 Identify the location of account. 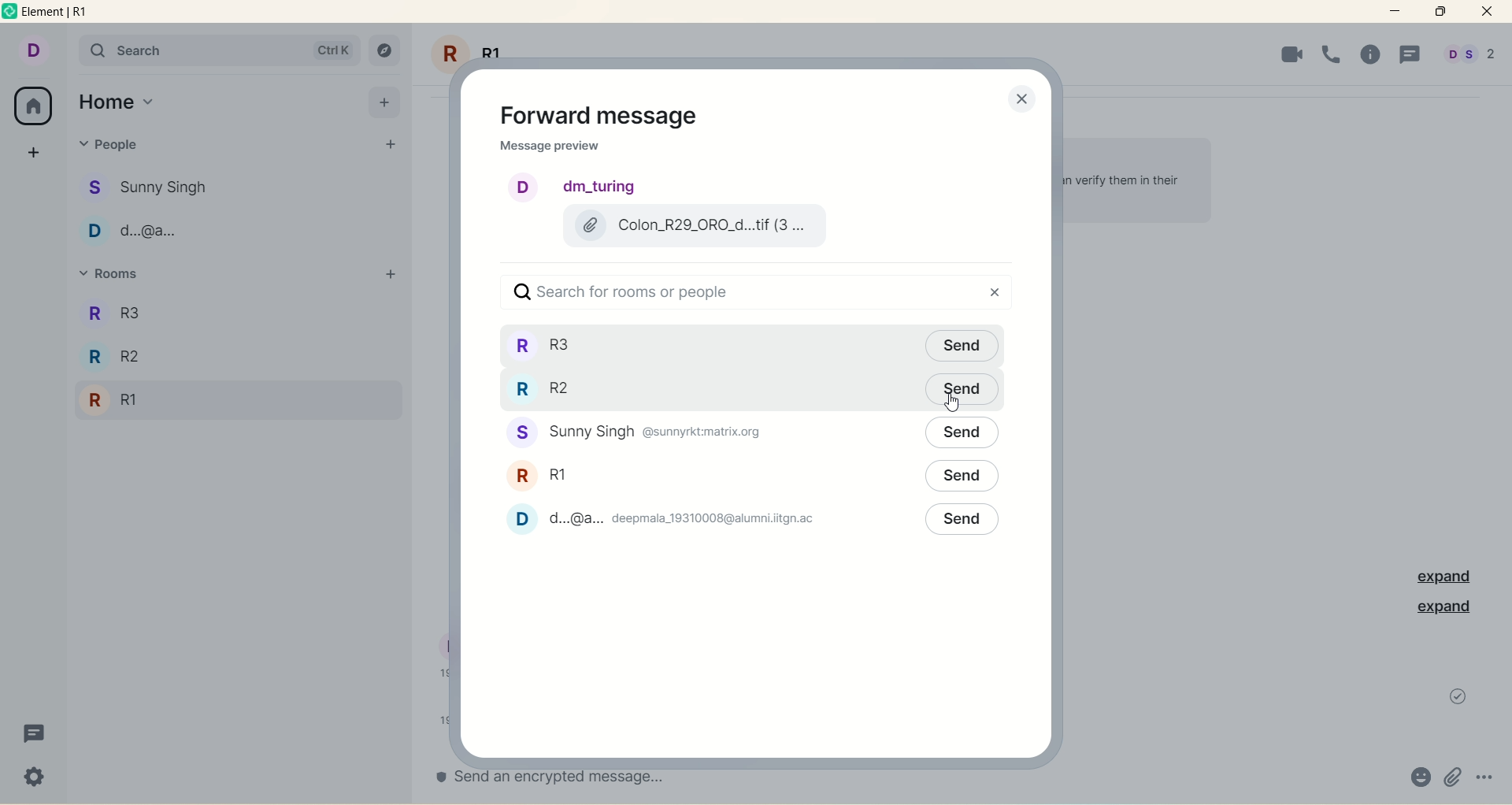
(31, 49).